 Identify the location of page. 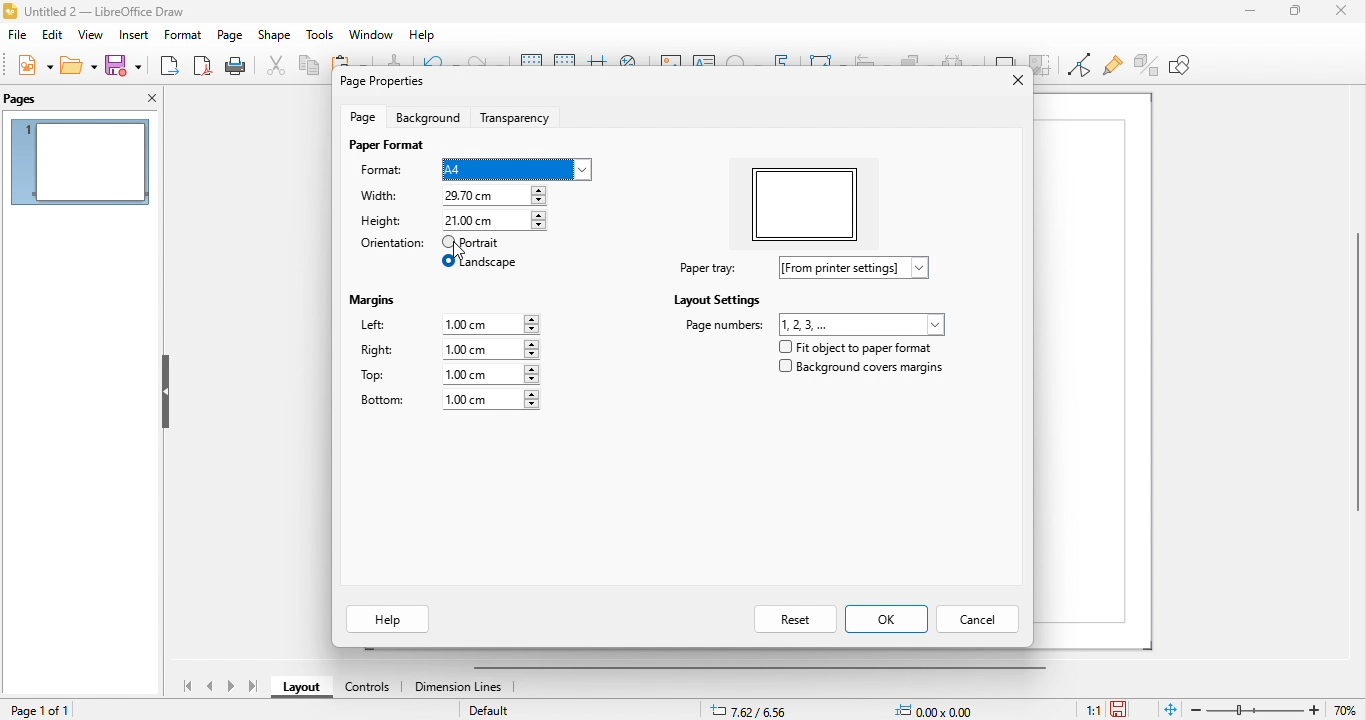
(231, 35).